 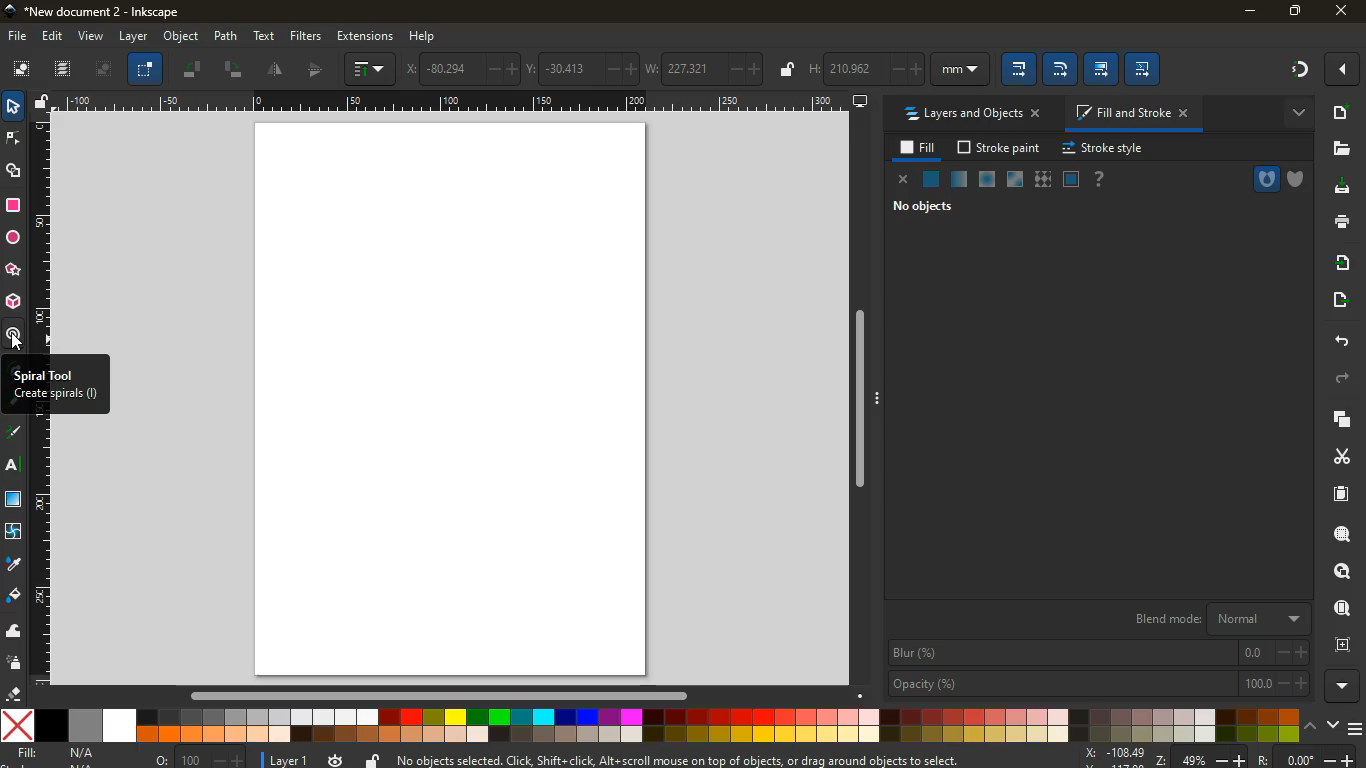 What do you see at coordinates (1145, 69) in the screenshot?
I see `edit` at bounding box center [1145, 69].